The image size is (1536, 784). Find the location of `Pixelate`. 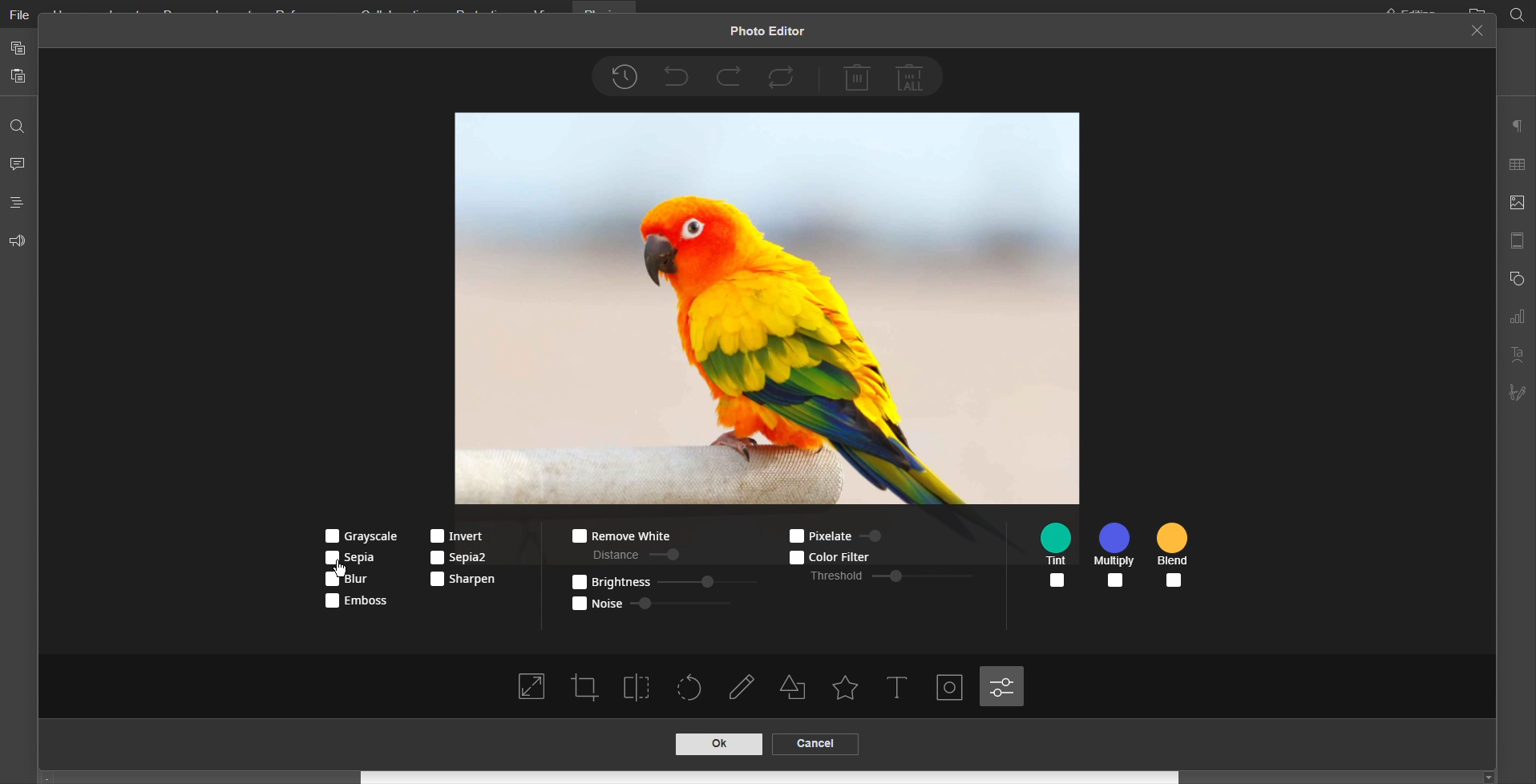

Pixelate is located at coordinates (850, 534).